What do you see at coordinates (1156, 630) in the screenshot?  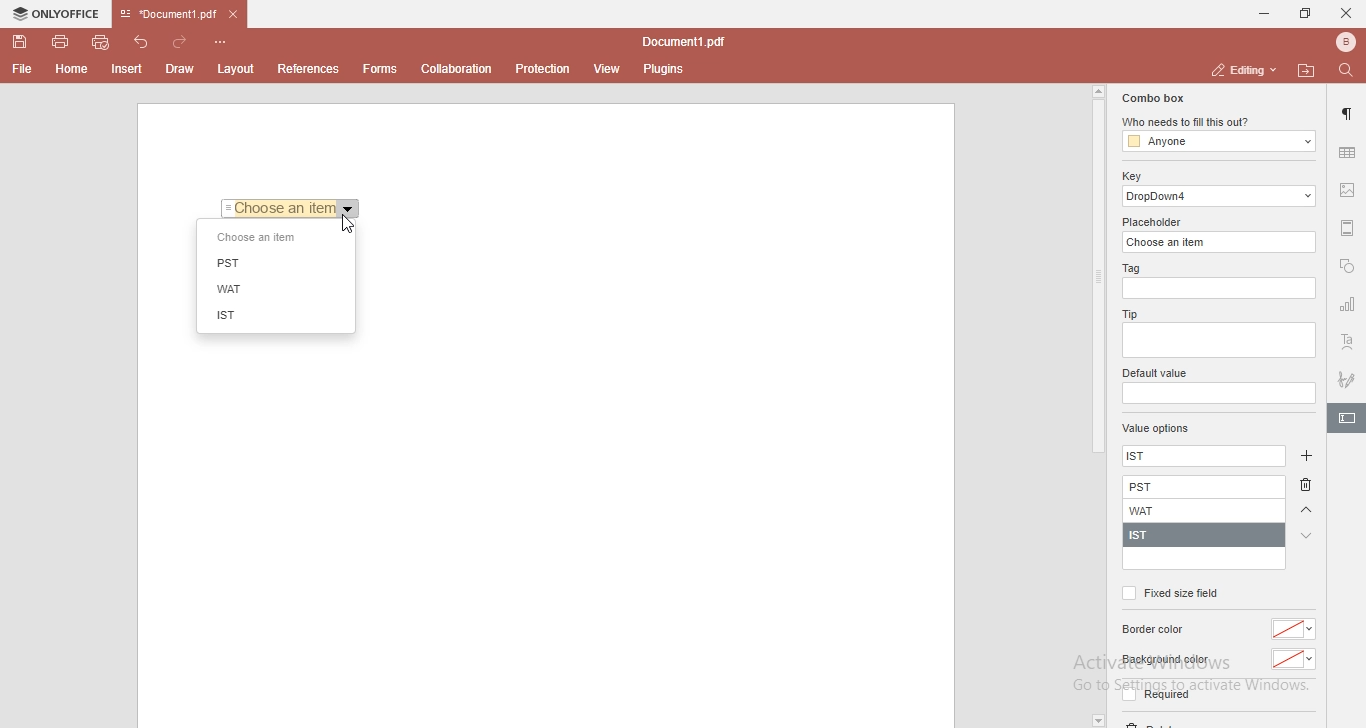 I see `border color` at bounding box center [1156, 630].